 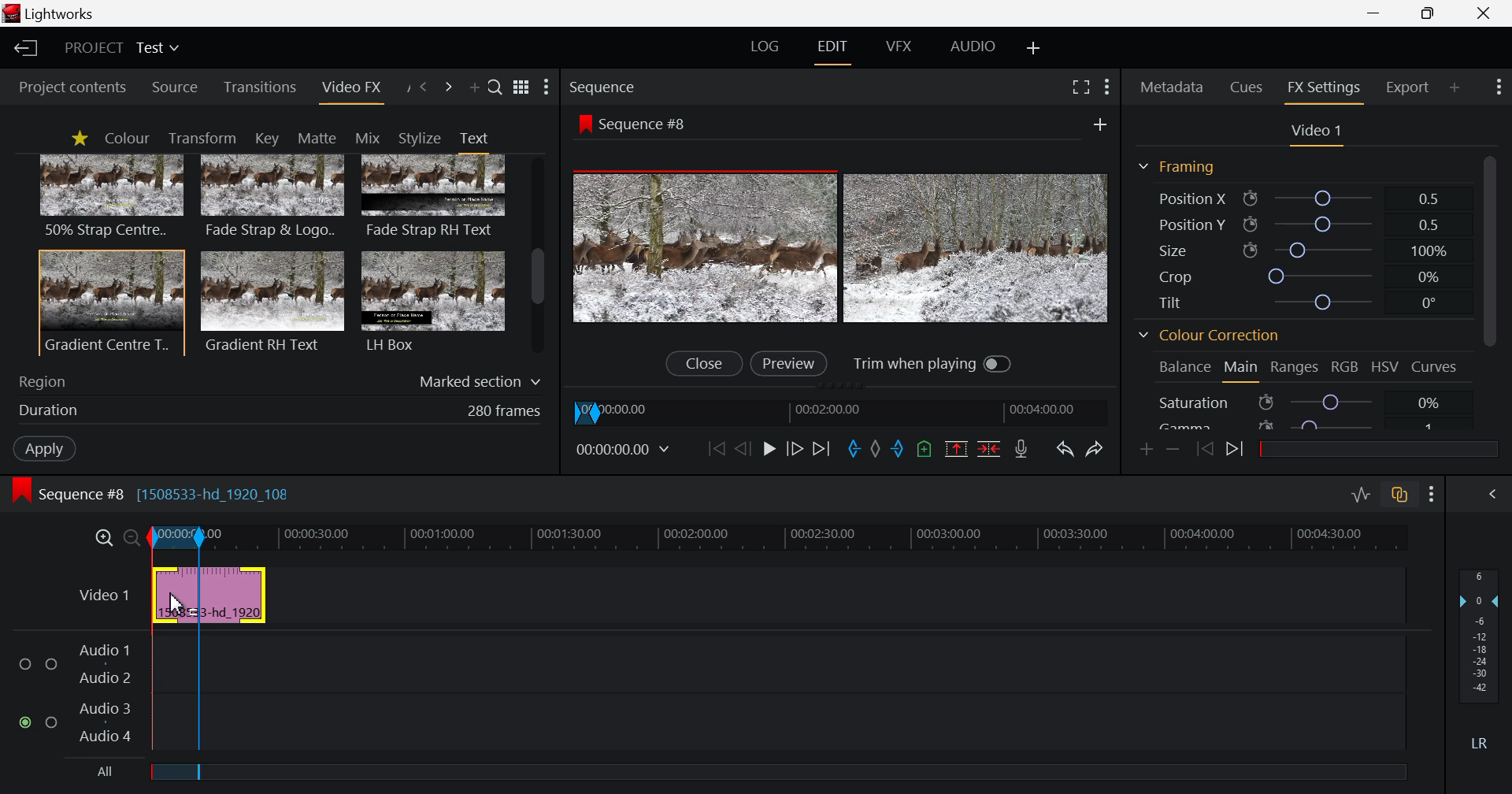 I want to click on Gradient Centre, so click(x=110, y=302).